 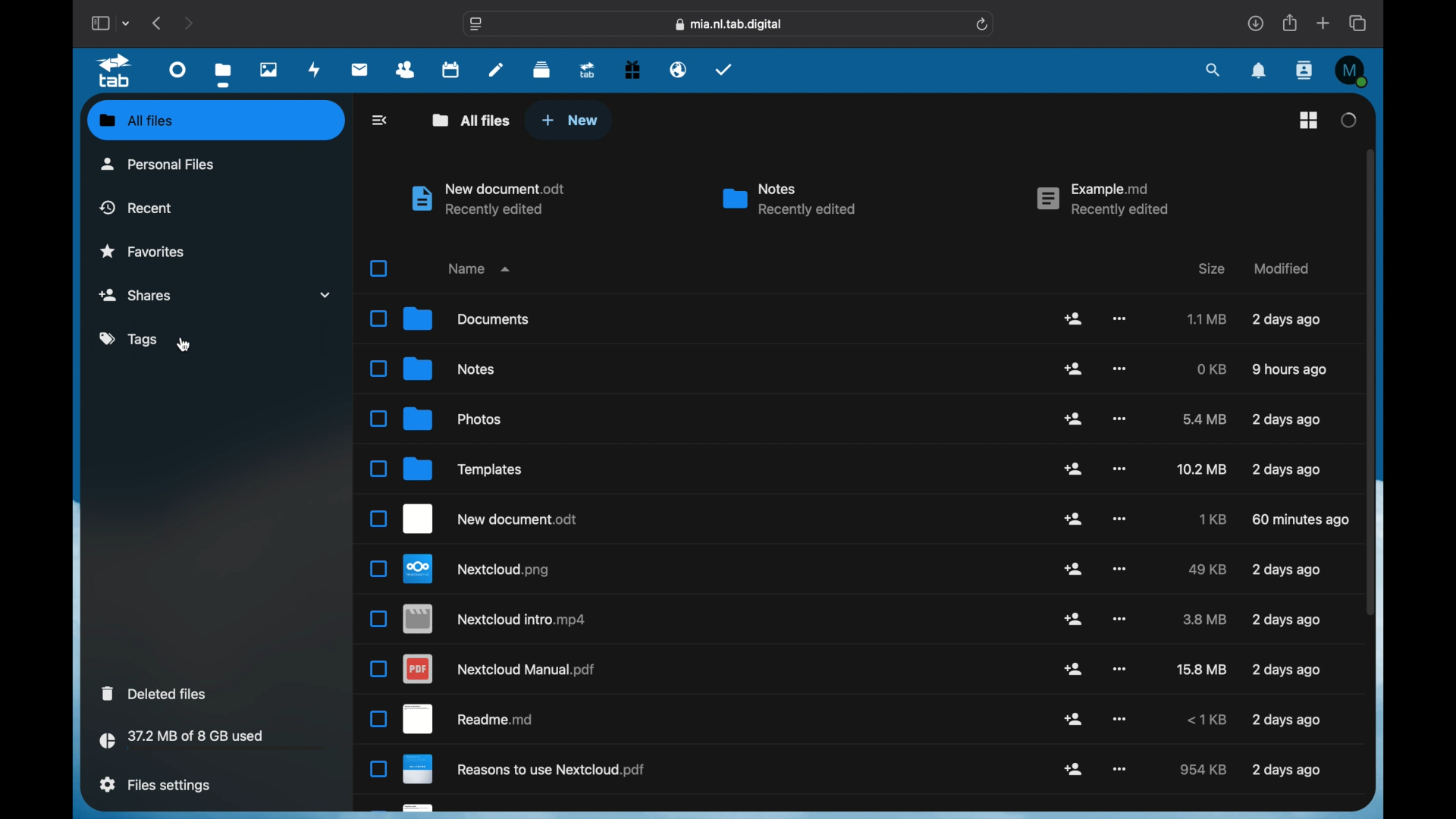 I want to click on website settings, so click(x=476, y=25).